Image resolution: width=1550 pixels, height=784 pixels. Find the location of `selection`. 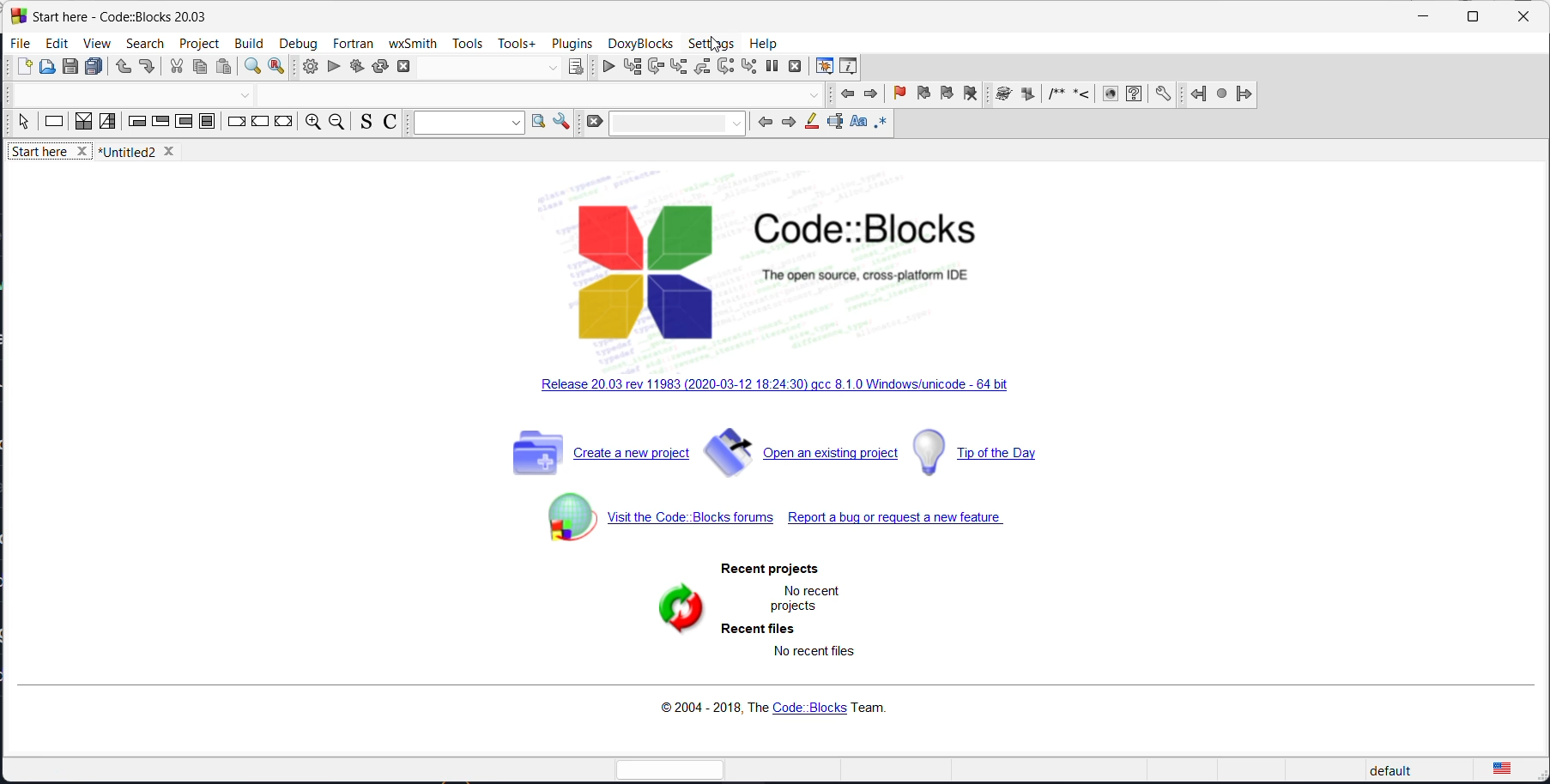

selection is located at coordinates (108, 123).